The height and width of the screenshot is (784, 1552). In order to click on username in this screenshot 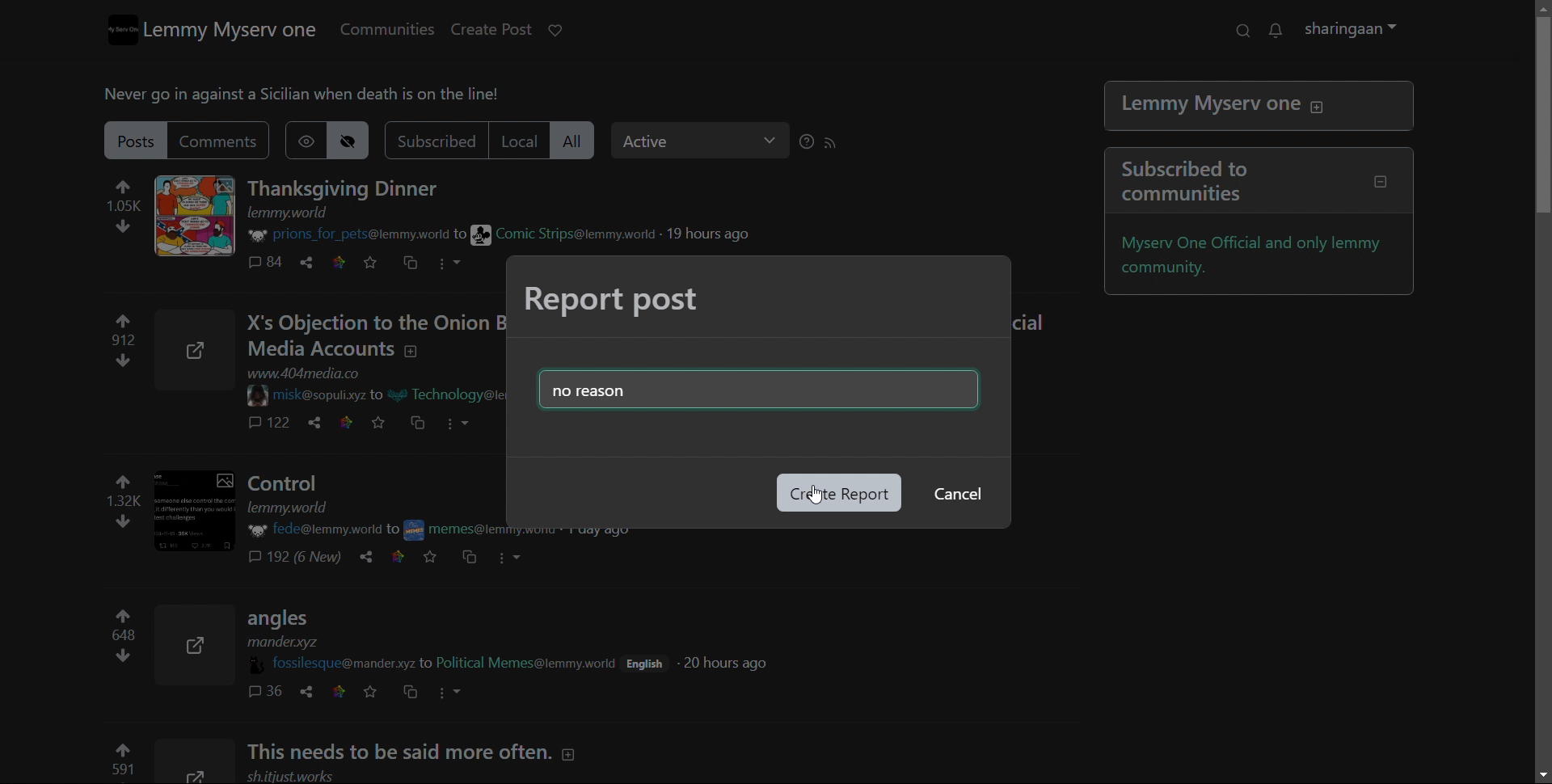, I will do `click(359, 236)`.